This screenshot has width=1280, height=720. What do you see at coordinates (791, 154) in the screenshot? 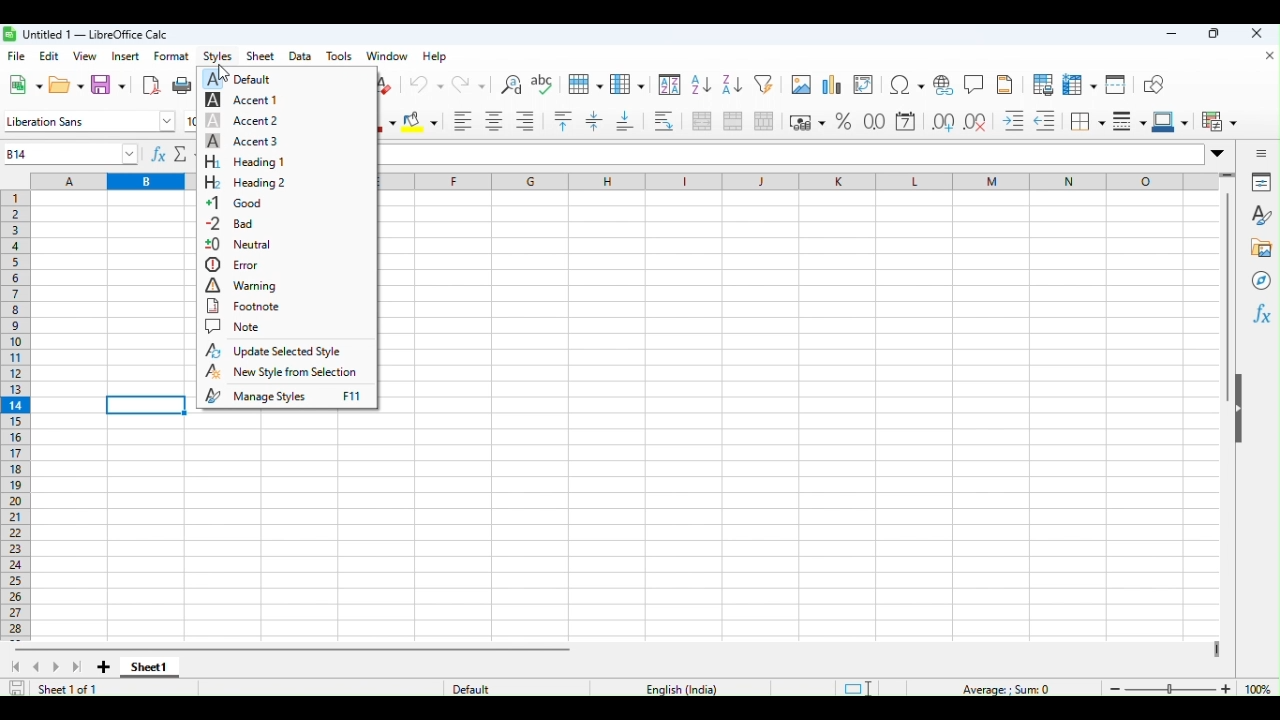
I see `Formula bar` at bounding box center [791, 154].